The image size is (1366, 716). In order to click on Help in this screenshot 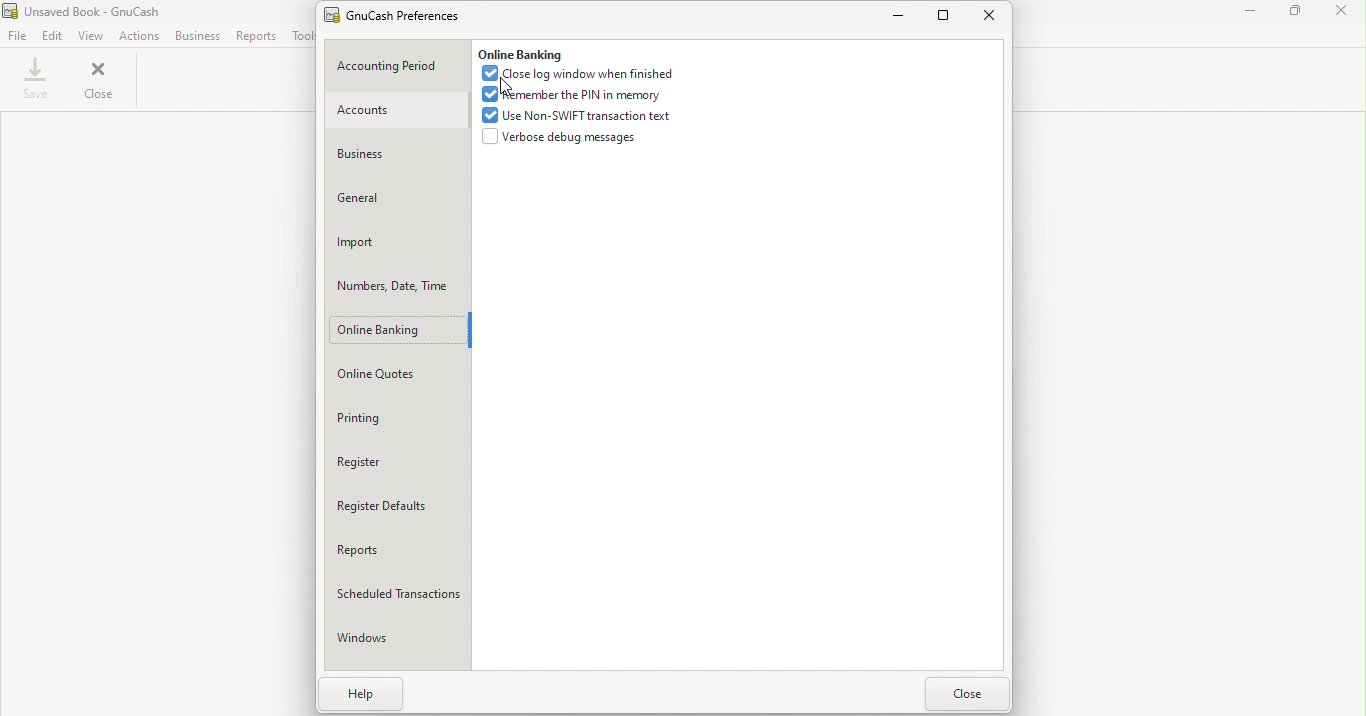, I will do `click(355, 696)`.